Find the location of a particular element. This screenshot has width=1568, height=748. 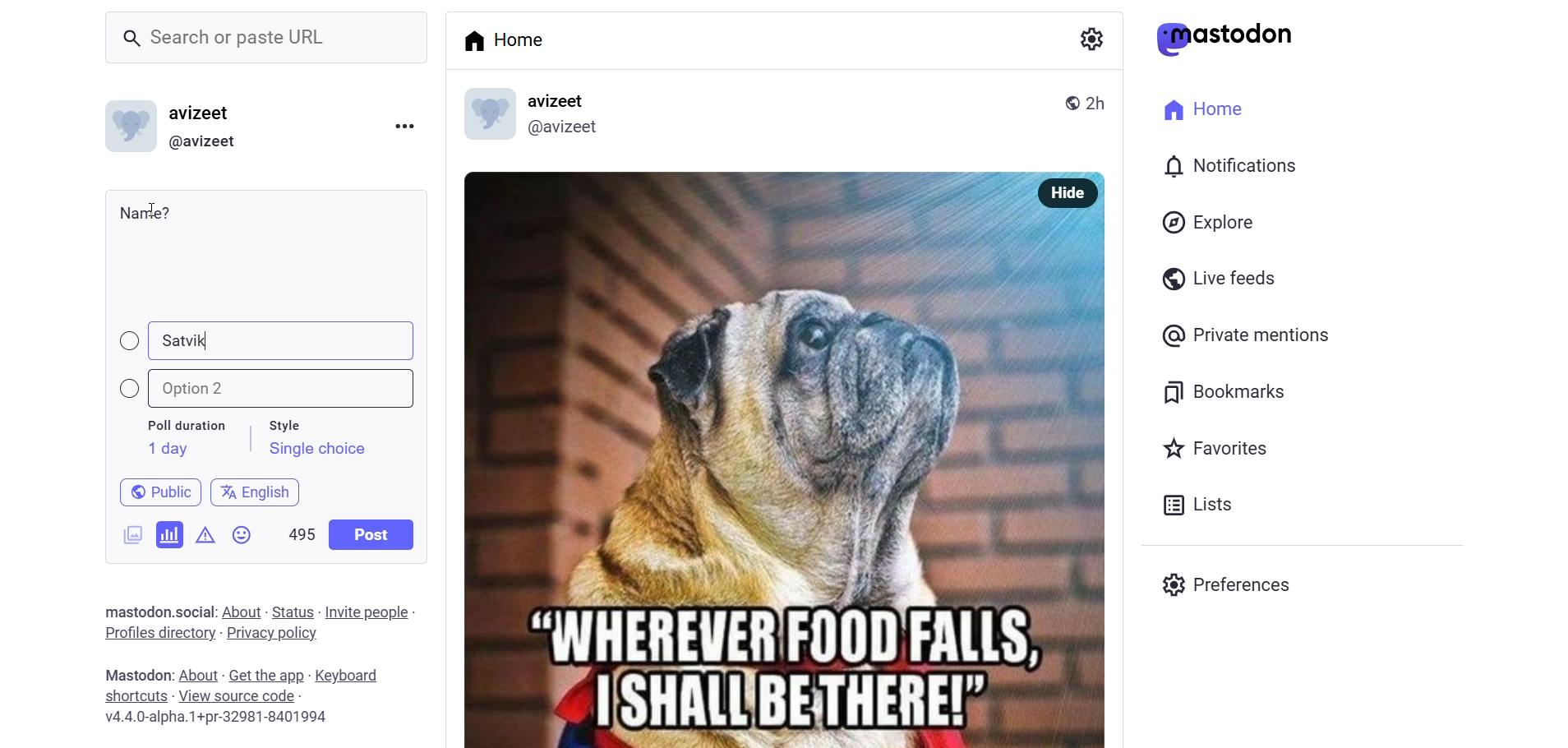

hide is located at coordinates (1063, 193).